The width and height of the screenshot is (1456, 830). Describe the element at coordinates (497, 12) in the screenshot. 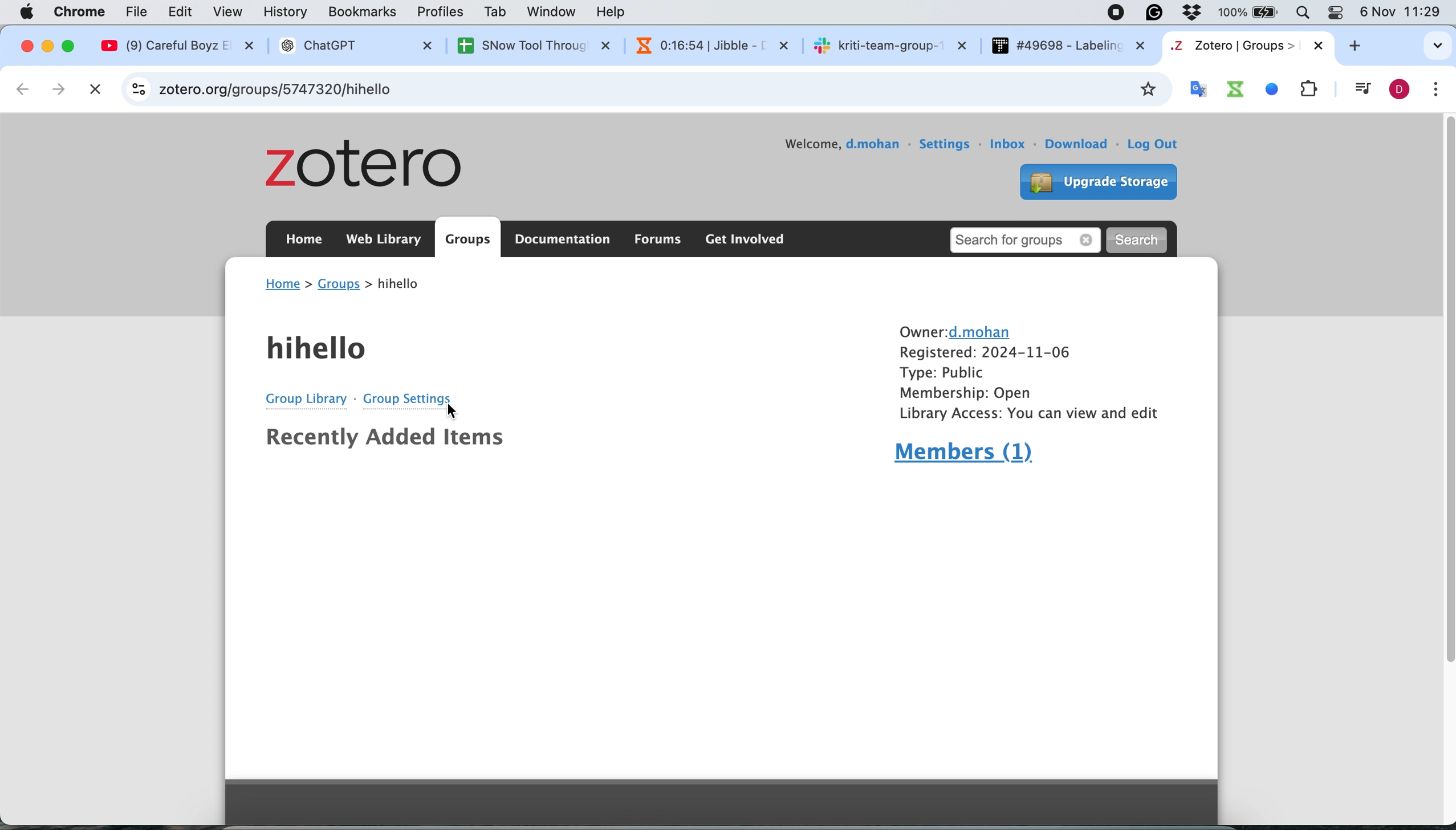

I see `tab` at that location.